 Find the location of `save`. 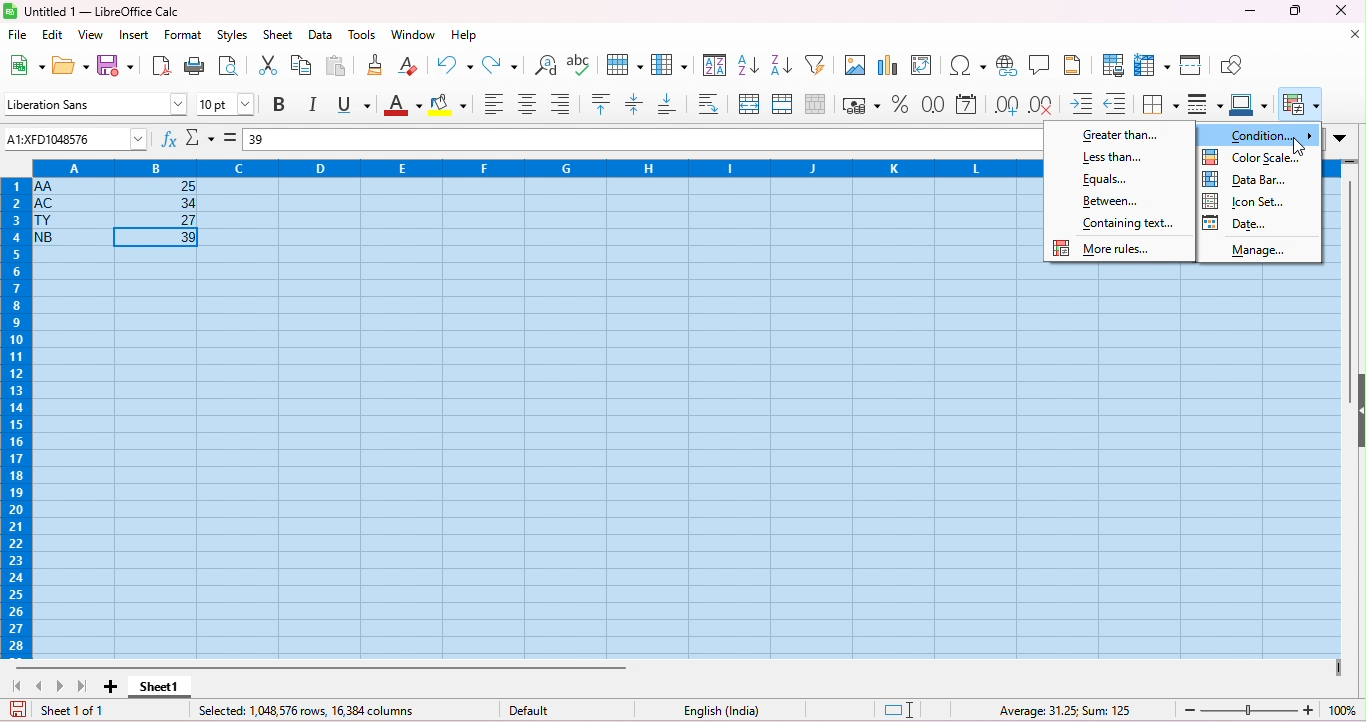

save is located at coordinates (116, 64).